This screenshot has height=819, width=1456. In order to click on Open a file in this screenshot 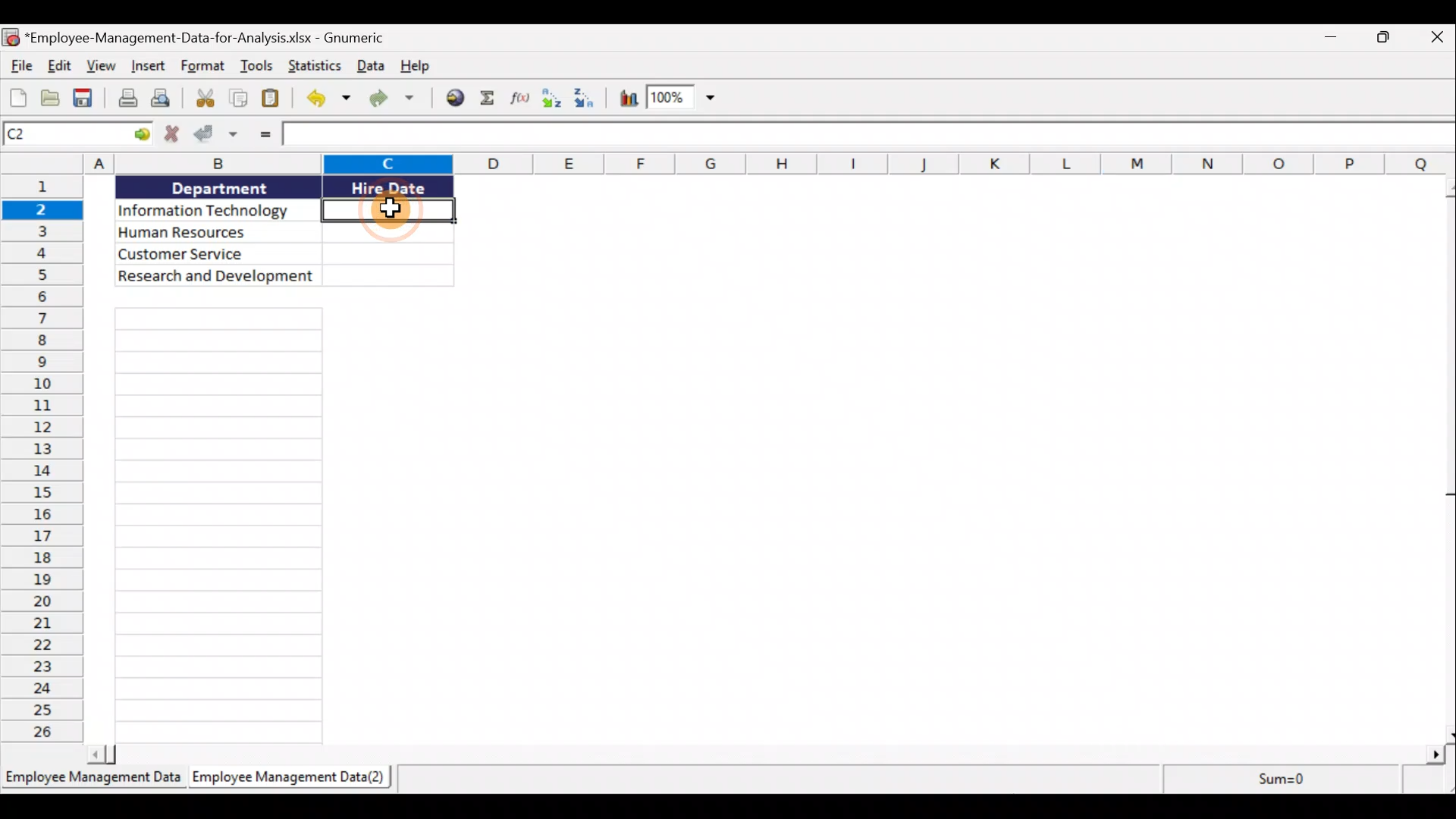, I will do `click(51, 99)`.